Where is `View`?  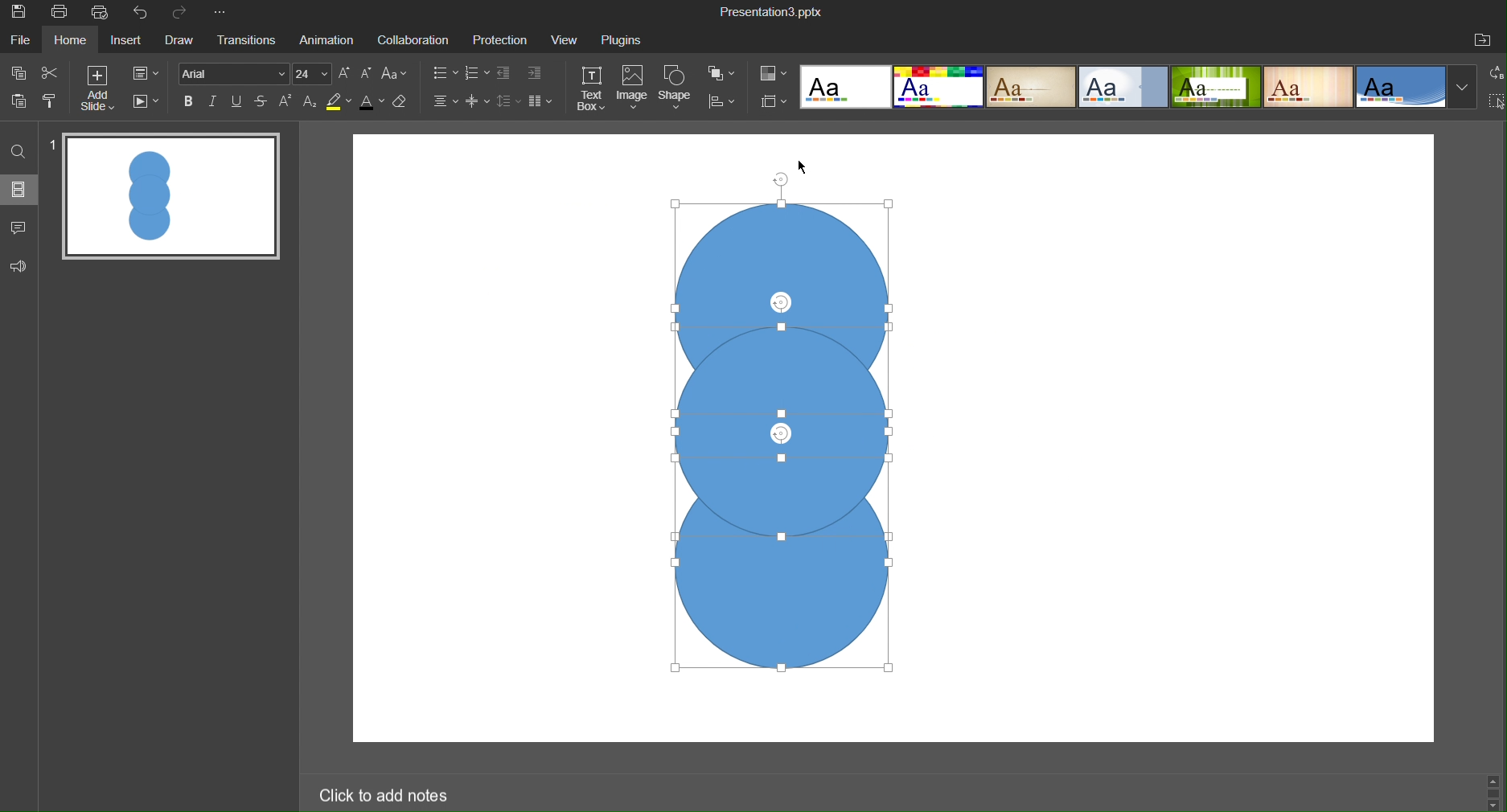 View is located at coordinates (566, 40).